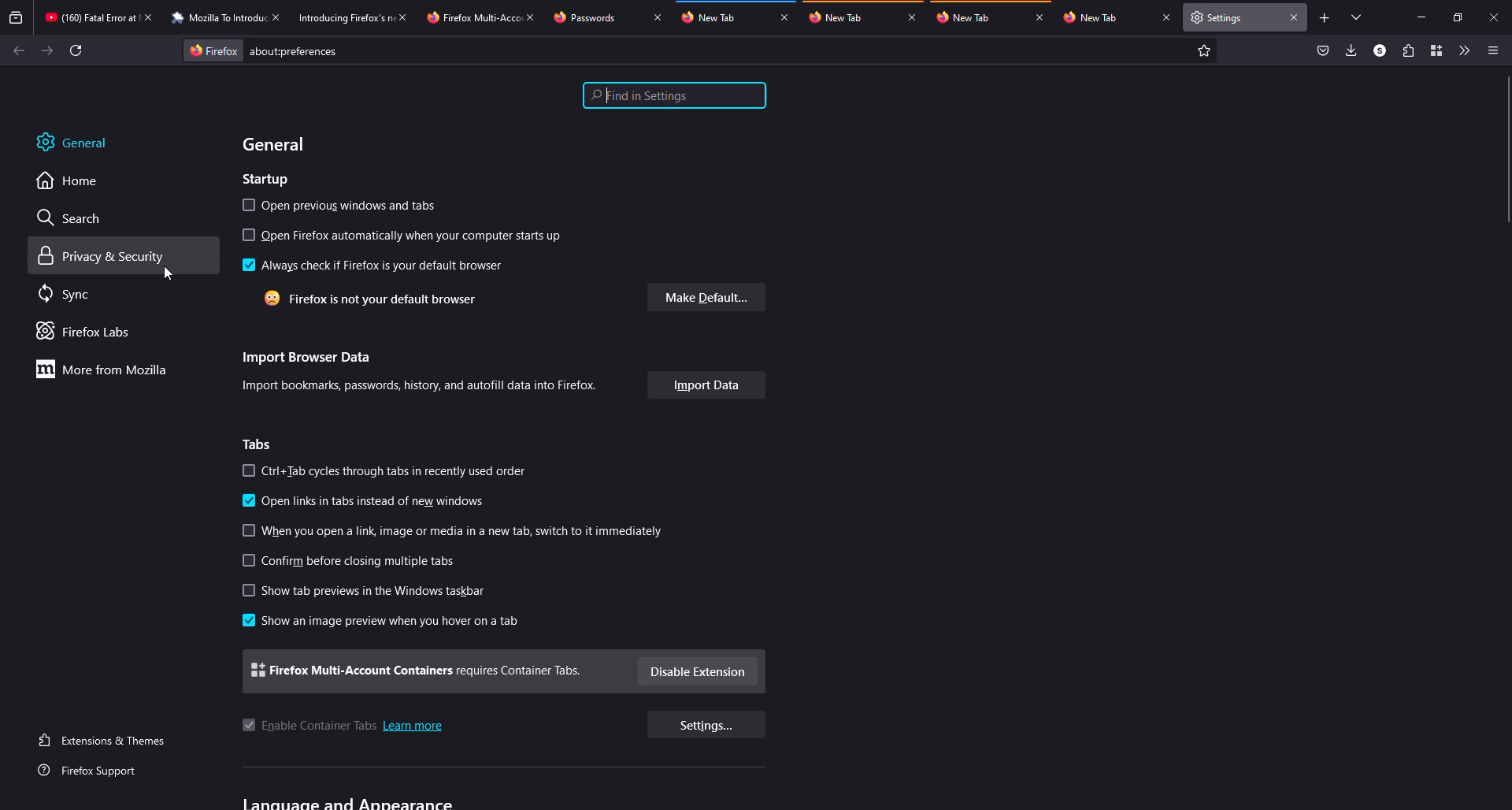 Image resolution: width=1512 pixels, height=810 pixels. Describe the element at coordinates (964, 17) in the screenshot. I see `tab` at that location.